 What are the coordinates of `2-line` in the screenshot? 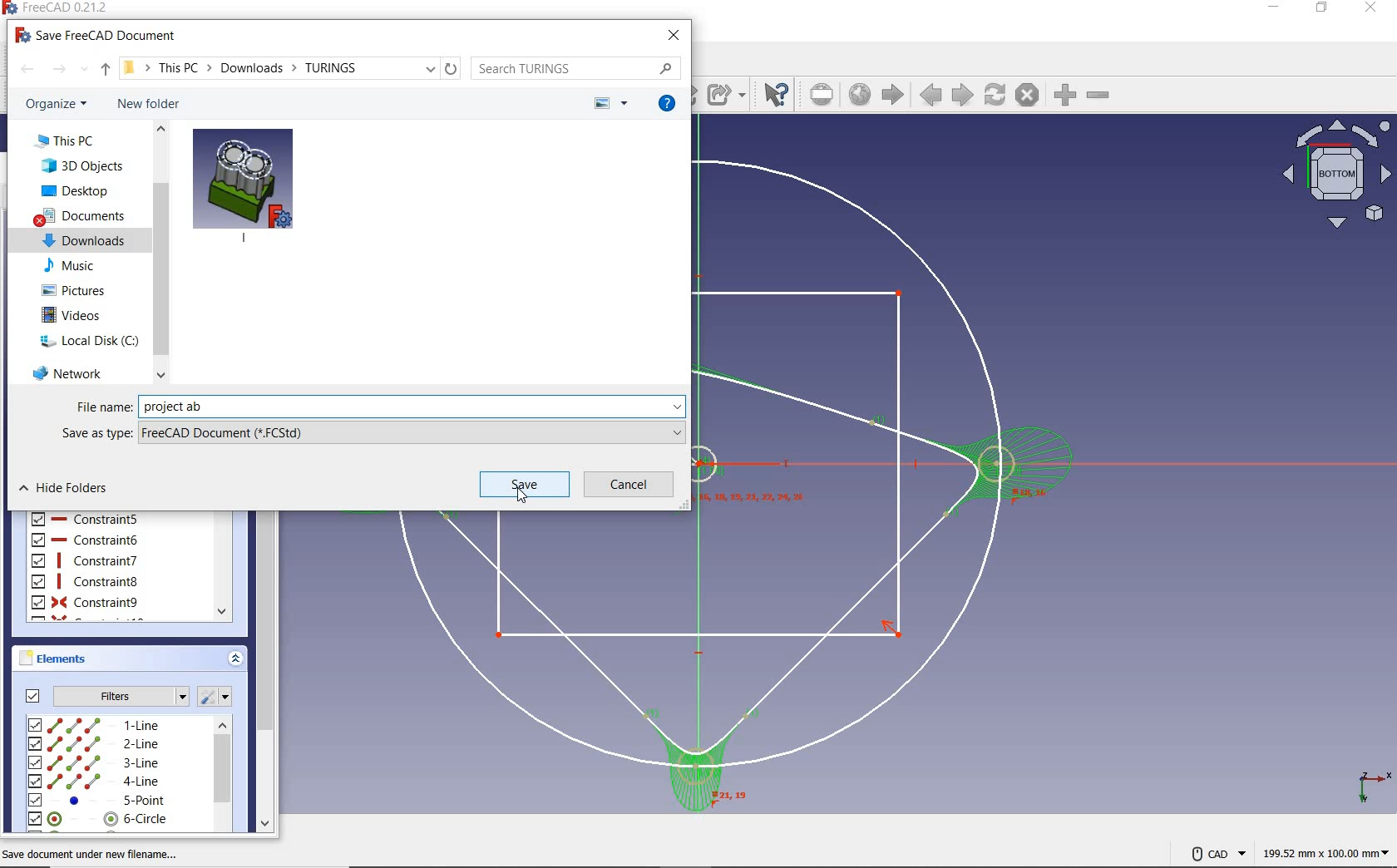 It's located at (94, 744).